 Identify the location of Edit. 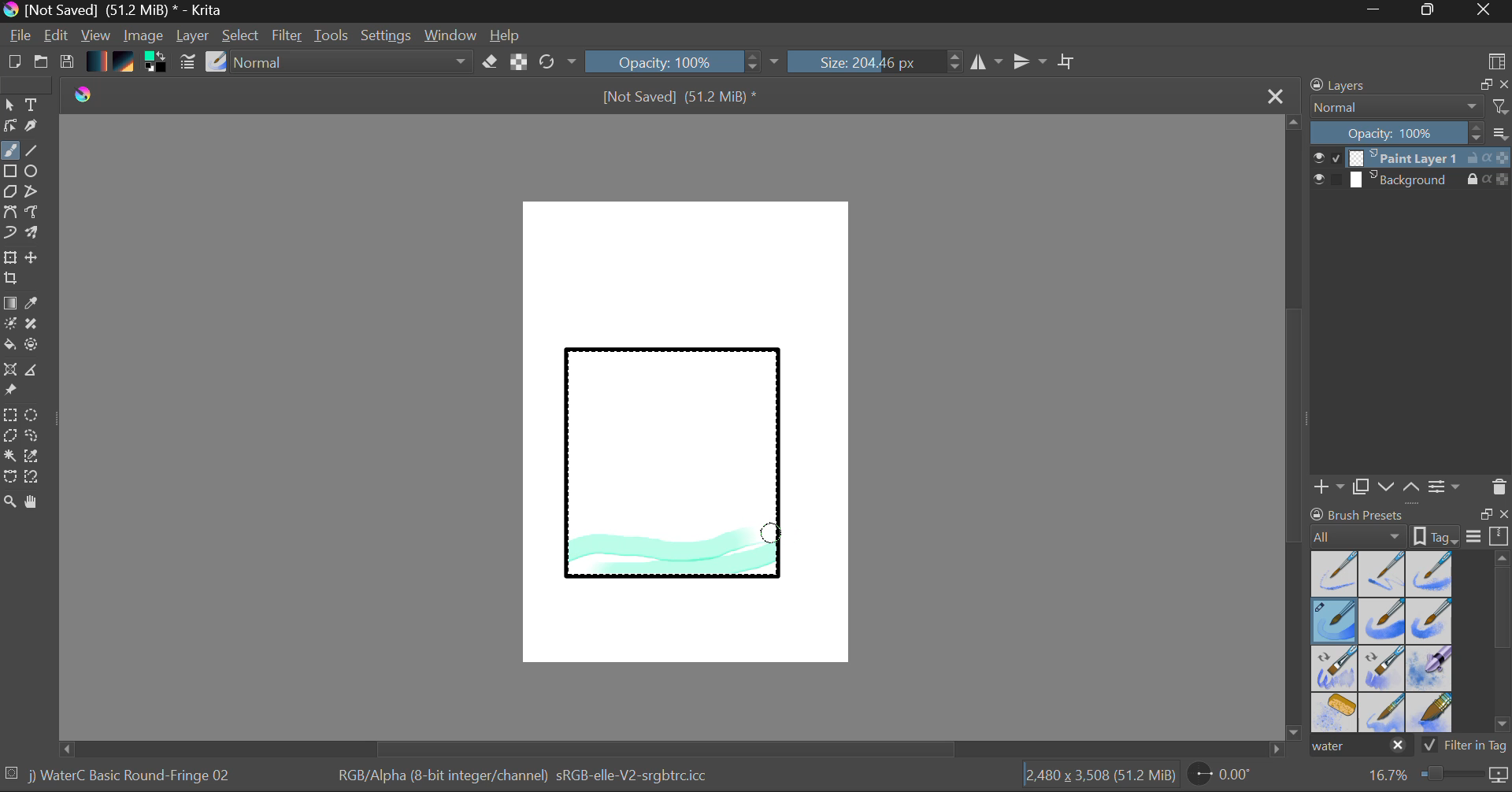
(57, 37).